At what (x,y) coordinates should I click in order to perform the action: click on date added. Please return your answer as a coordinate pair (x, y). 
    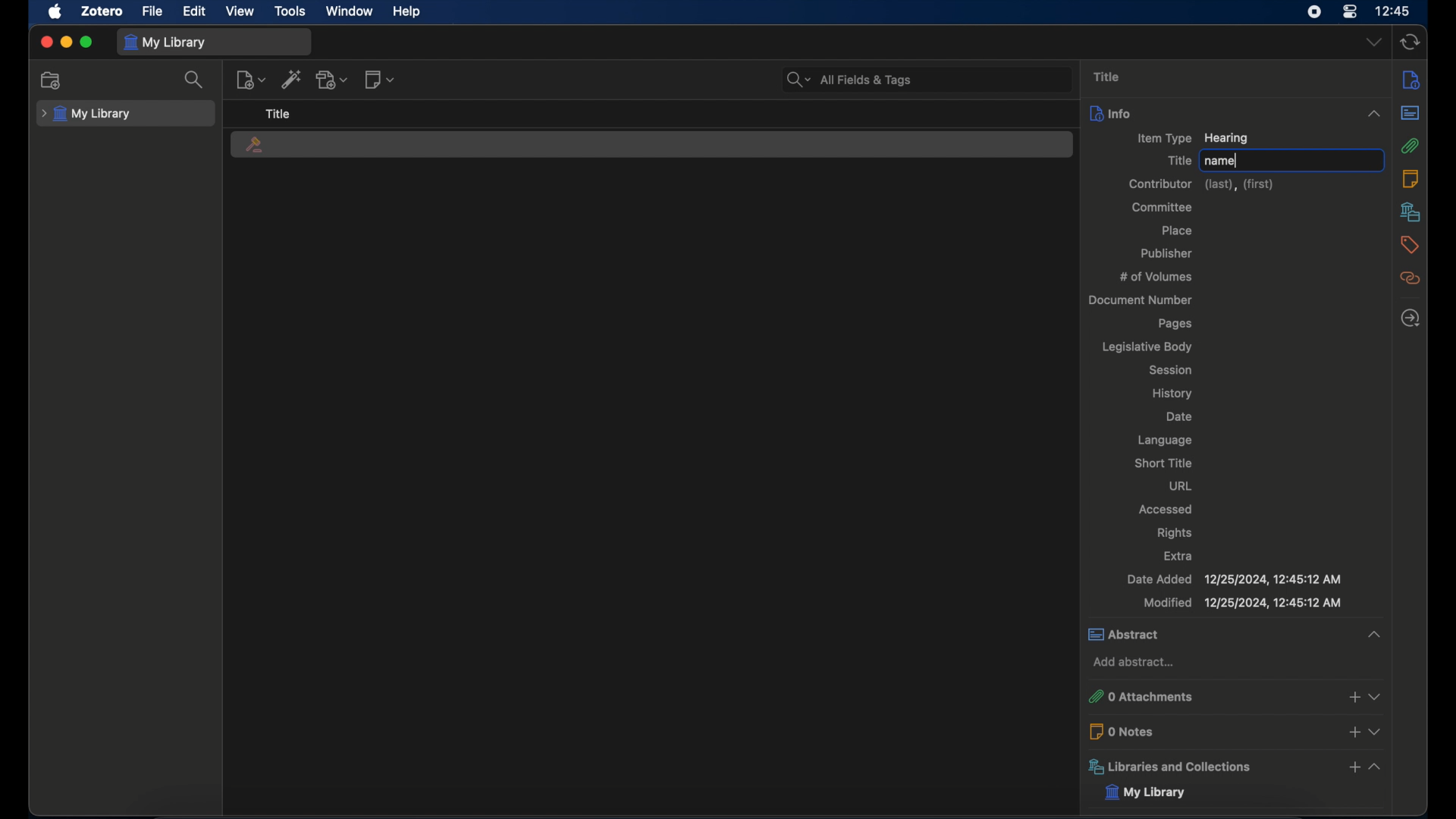
    Looking at the image, I should click on (1233, 579).